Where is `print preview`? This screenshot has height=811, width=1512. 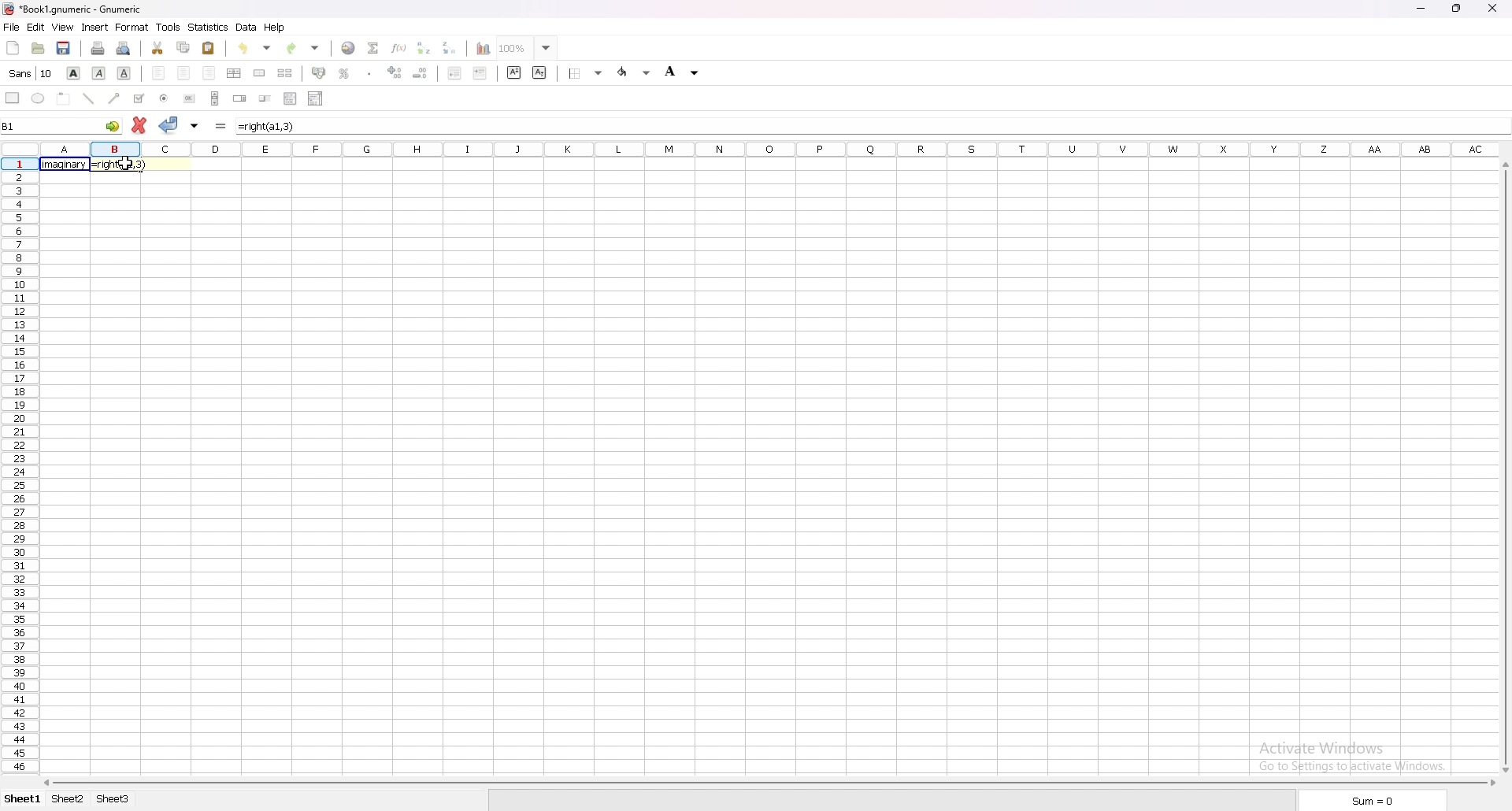
print preview is located at coordinates (124, 48).